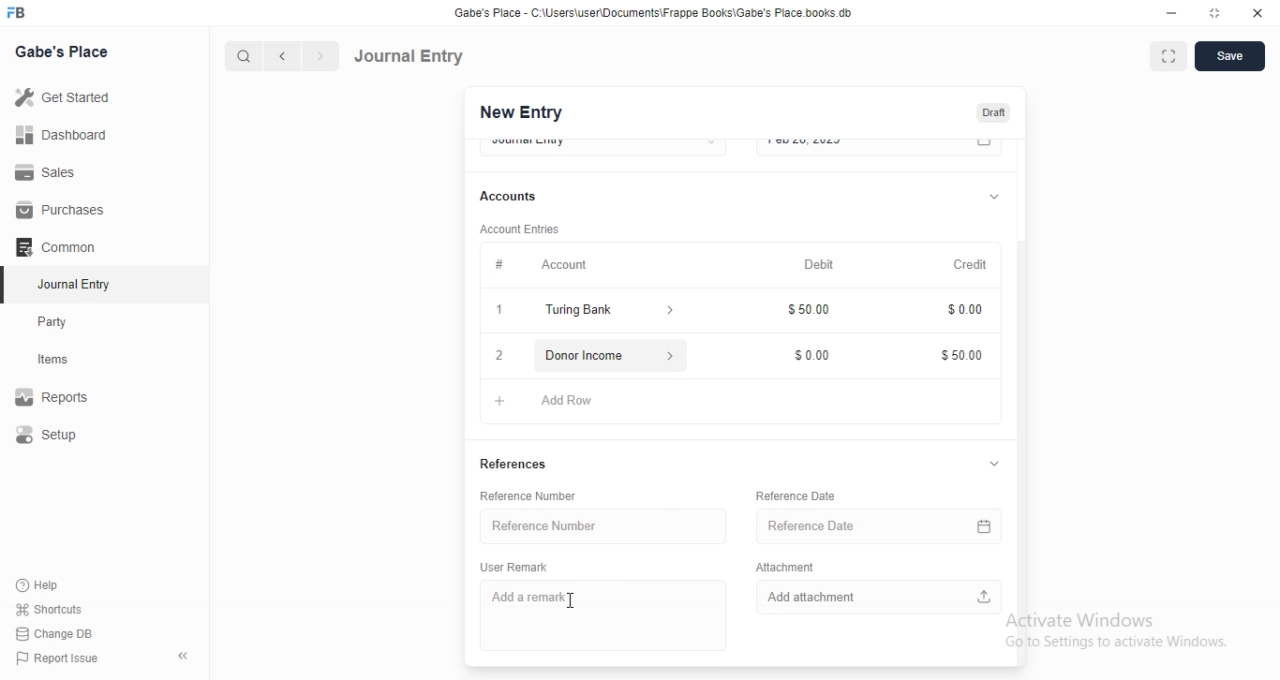 This screenshot has height=680, width=1280. What do you see at coordinates (410, 55) in the screenshot?
I see `Journal Entry` at bounding box center [410, 55].